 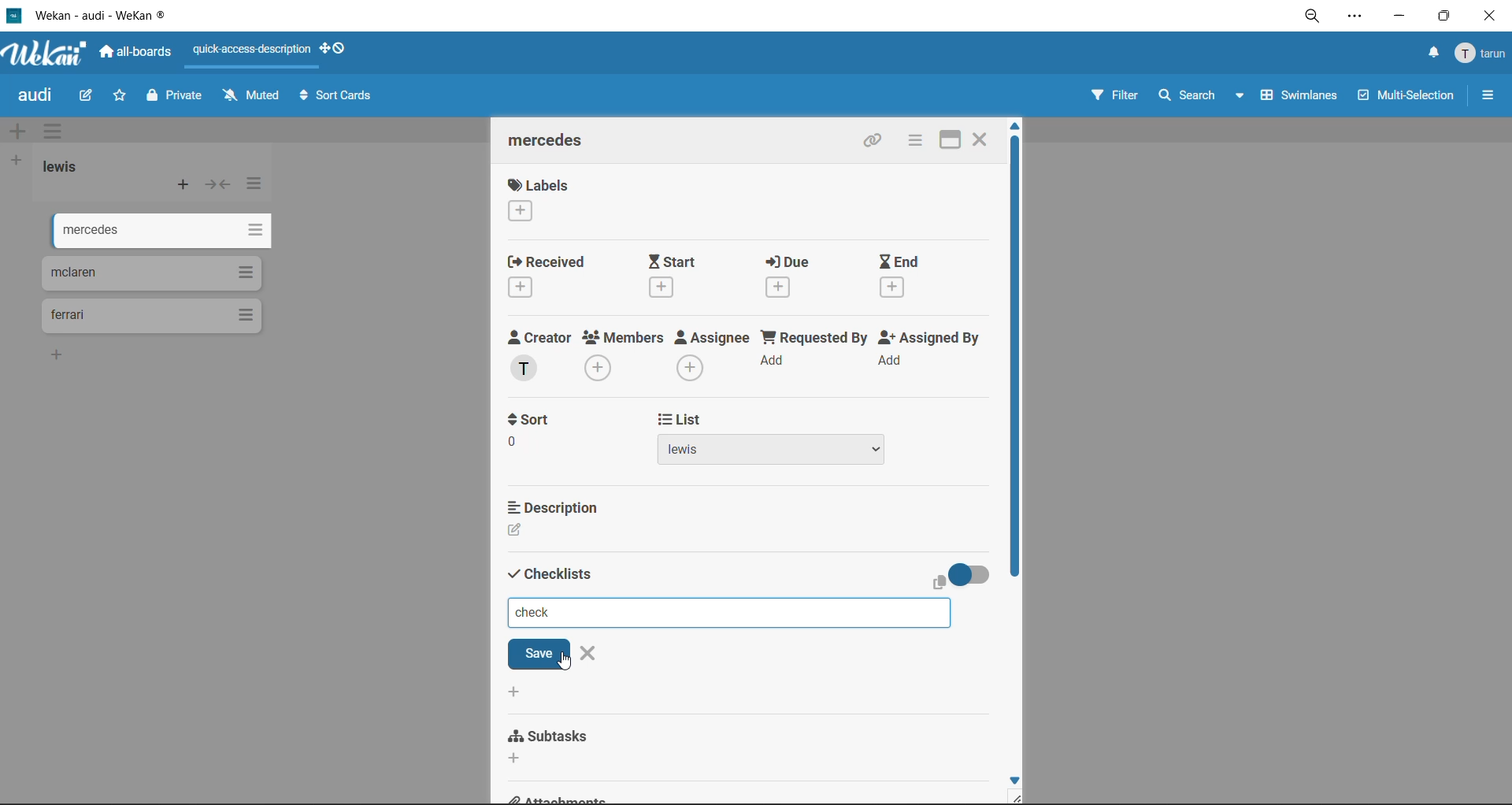 What do you see at coordinates (1358, 19) in the screenshot?
I see `settings` at bounding box center [1358, 19].